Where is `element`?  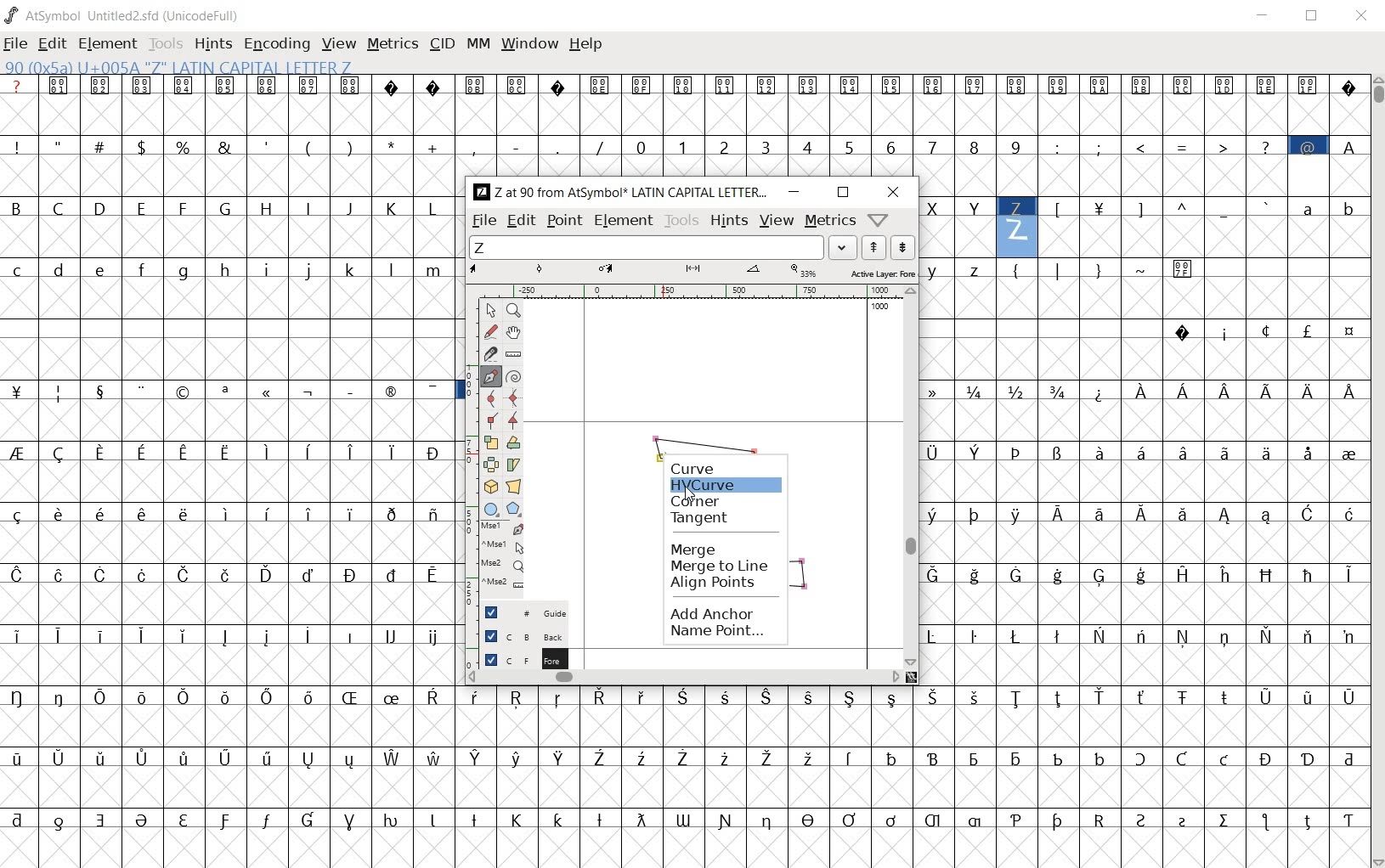 element is located at coordinates (624, 219).